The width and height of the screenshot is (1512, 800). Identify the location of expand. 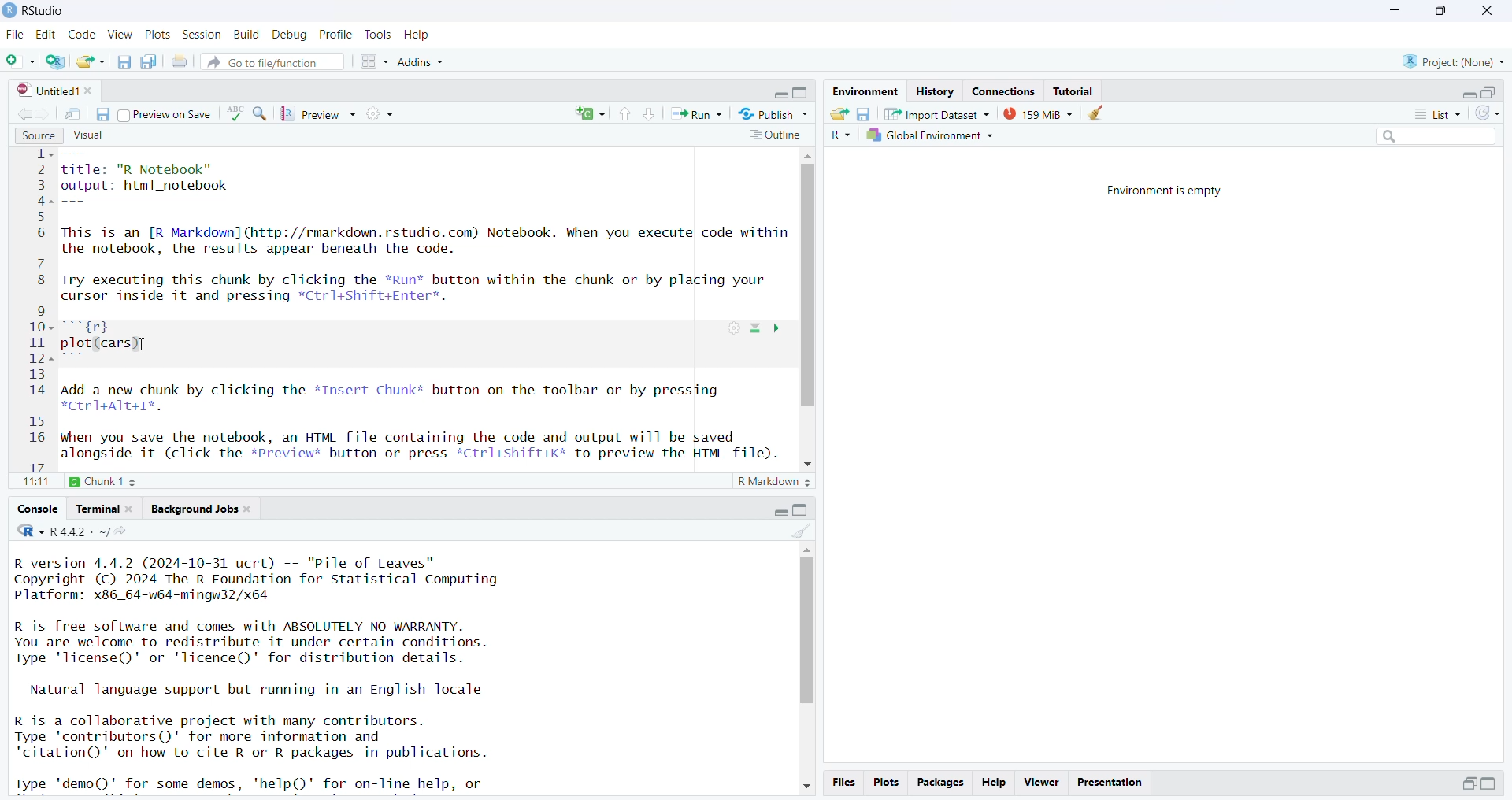
(1492, 784).